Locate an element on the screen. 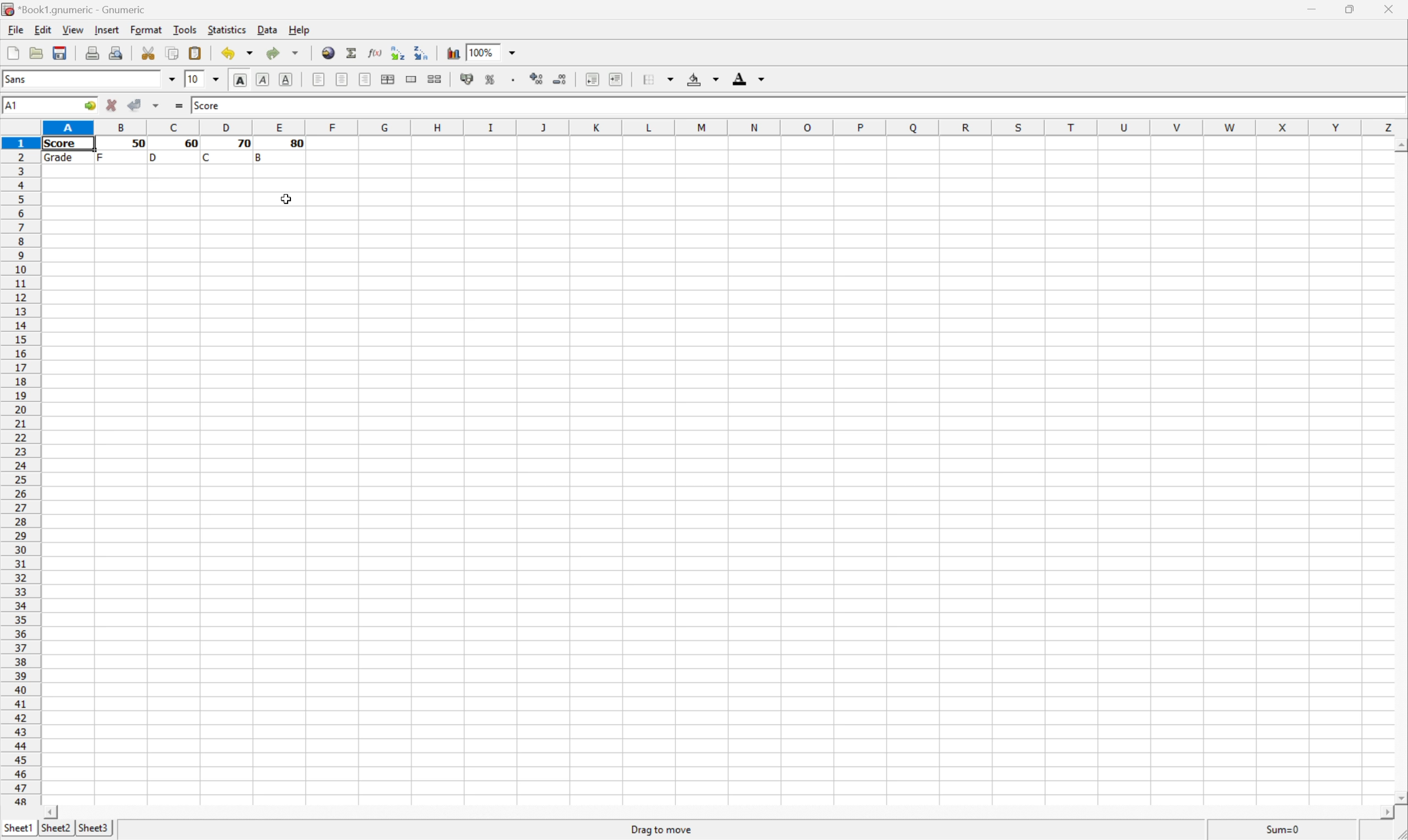  Enter formula is located at coordinates (179, 107).